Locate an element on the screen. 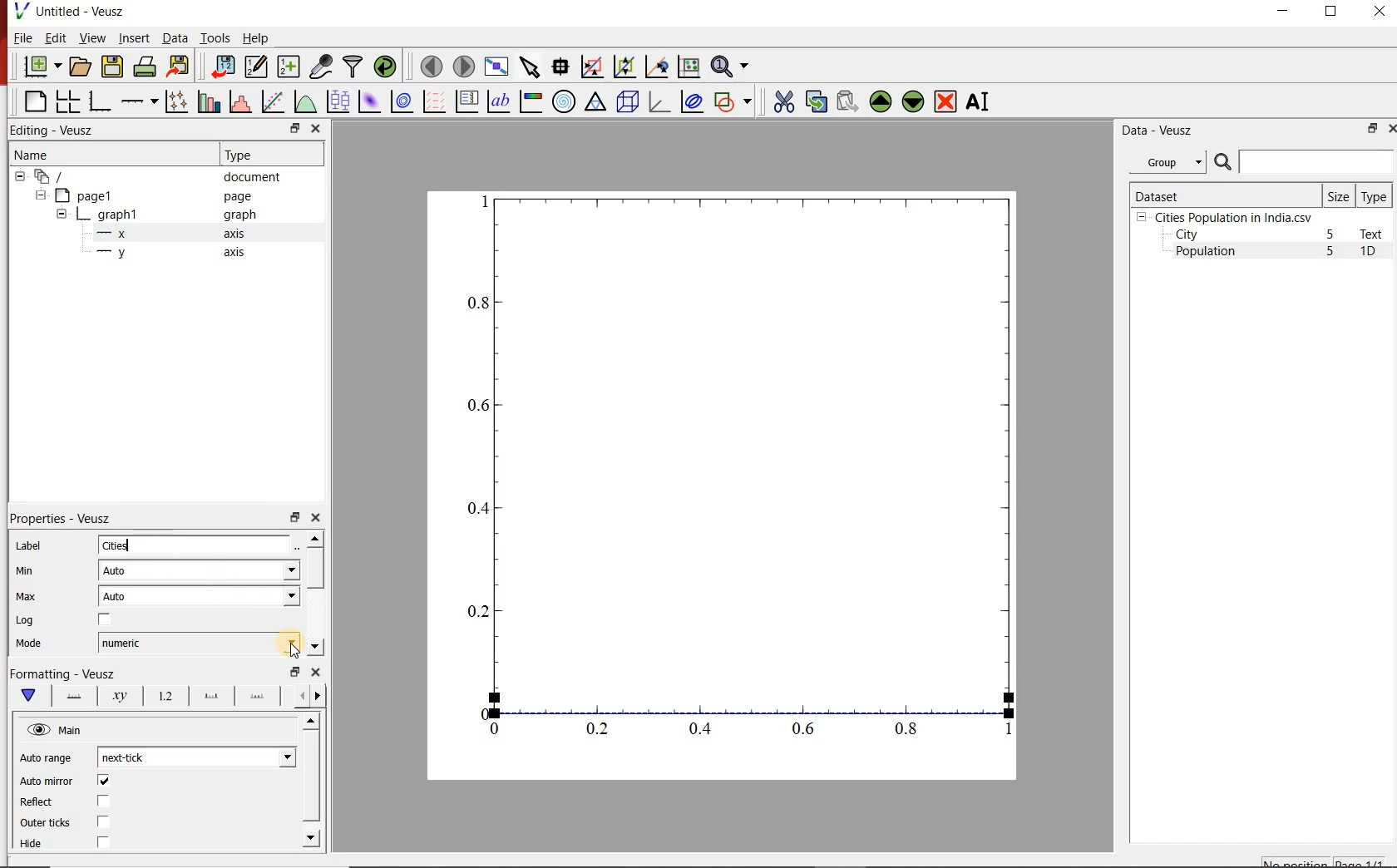  1D is located at coordinates (1375, 253).